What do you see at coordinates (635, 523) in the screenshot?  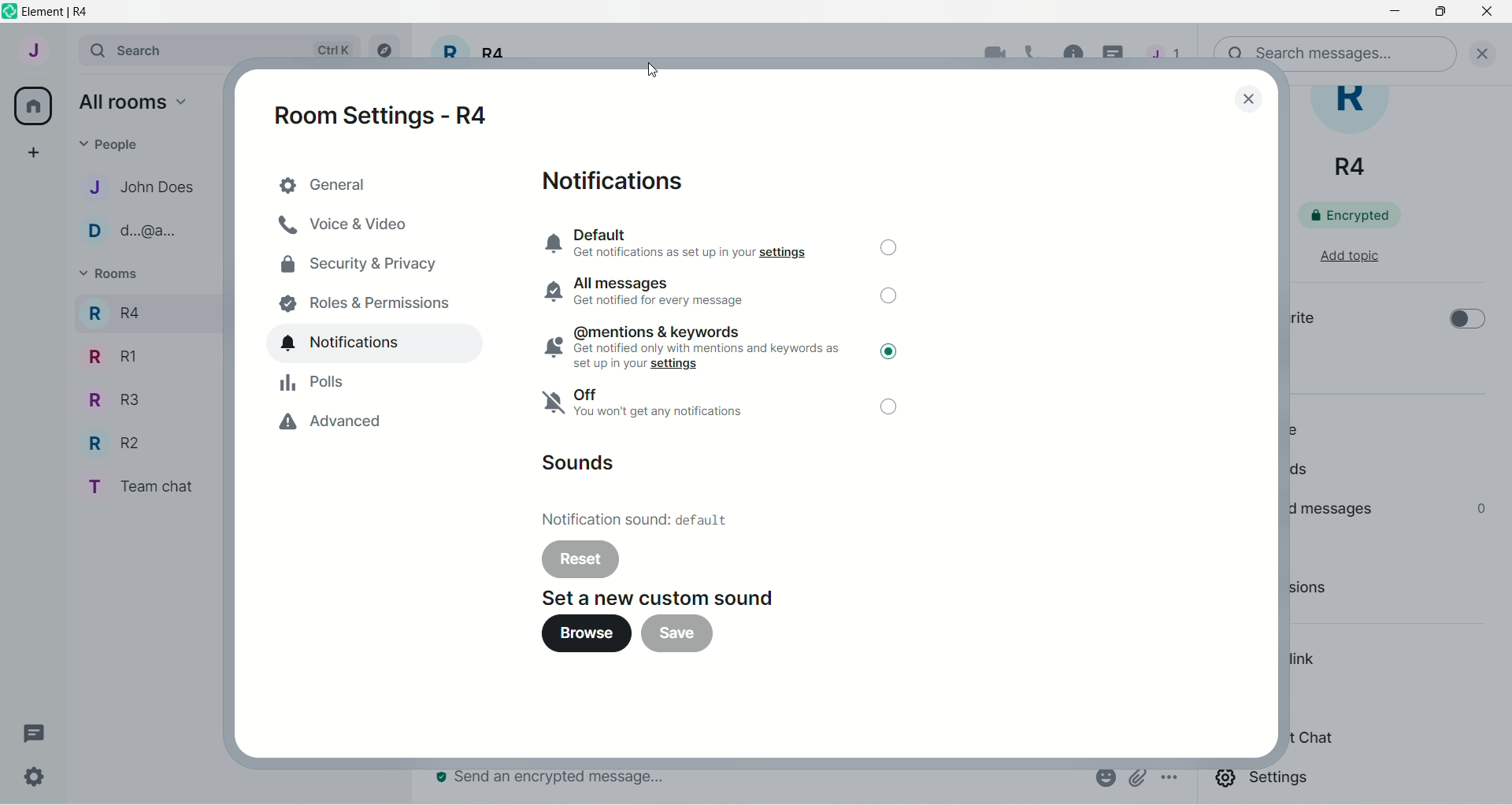 I see `Notification sound: default` at bounding box center [635, 523].